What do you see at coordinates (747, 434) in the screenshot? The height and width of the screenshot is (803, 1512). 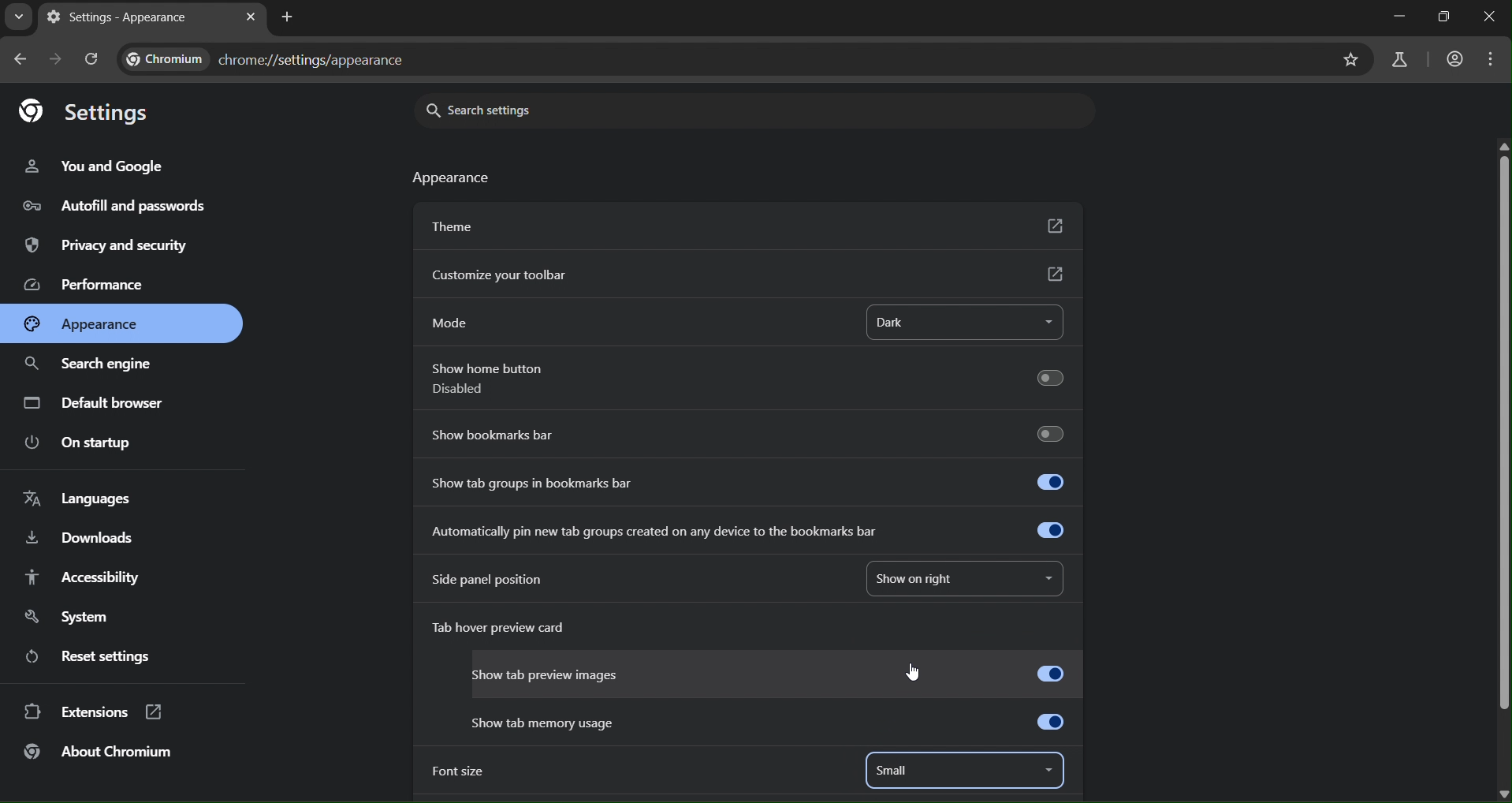 I see `show bookmarks bar` at bounding box center [747, 434].